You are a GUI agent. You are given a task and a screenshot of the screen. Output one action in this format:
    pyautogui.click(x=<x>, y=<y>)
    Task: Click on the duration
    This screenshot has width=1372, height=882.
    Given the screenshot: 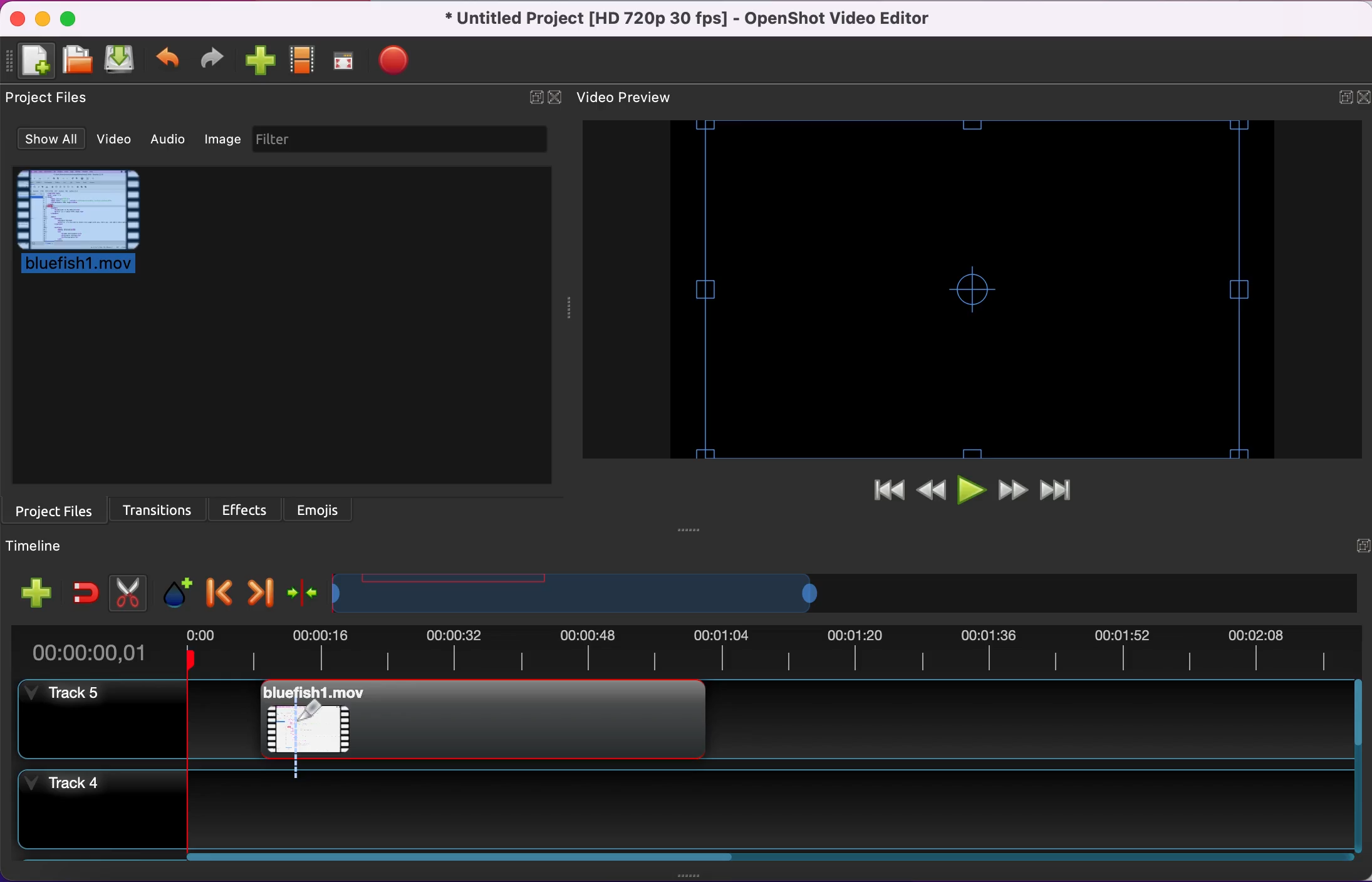 What is the action you would take?
    pyautogui.click(x=684, y=652)
    